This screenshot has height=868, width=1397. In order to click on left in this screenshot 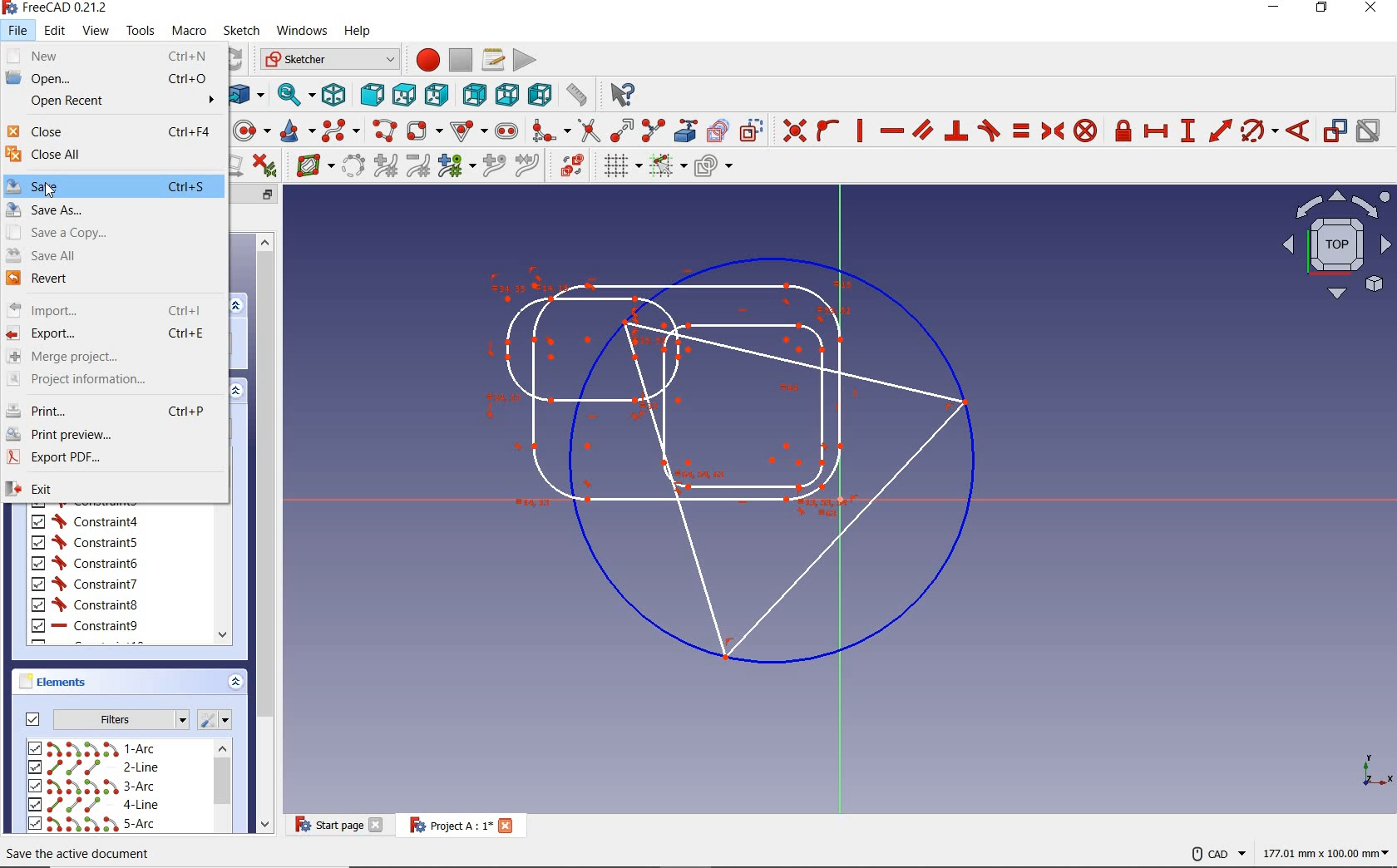, I will do `click(539, 94)`.